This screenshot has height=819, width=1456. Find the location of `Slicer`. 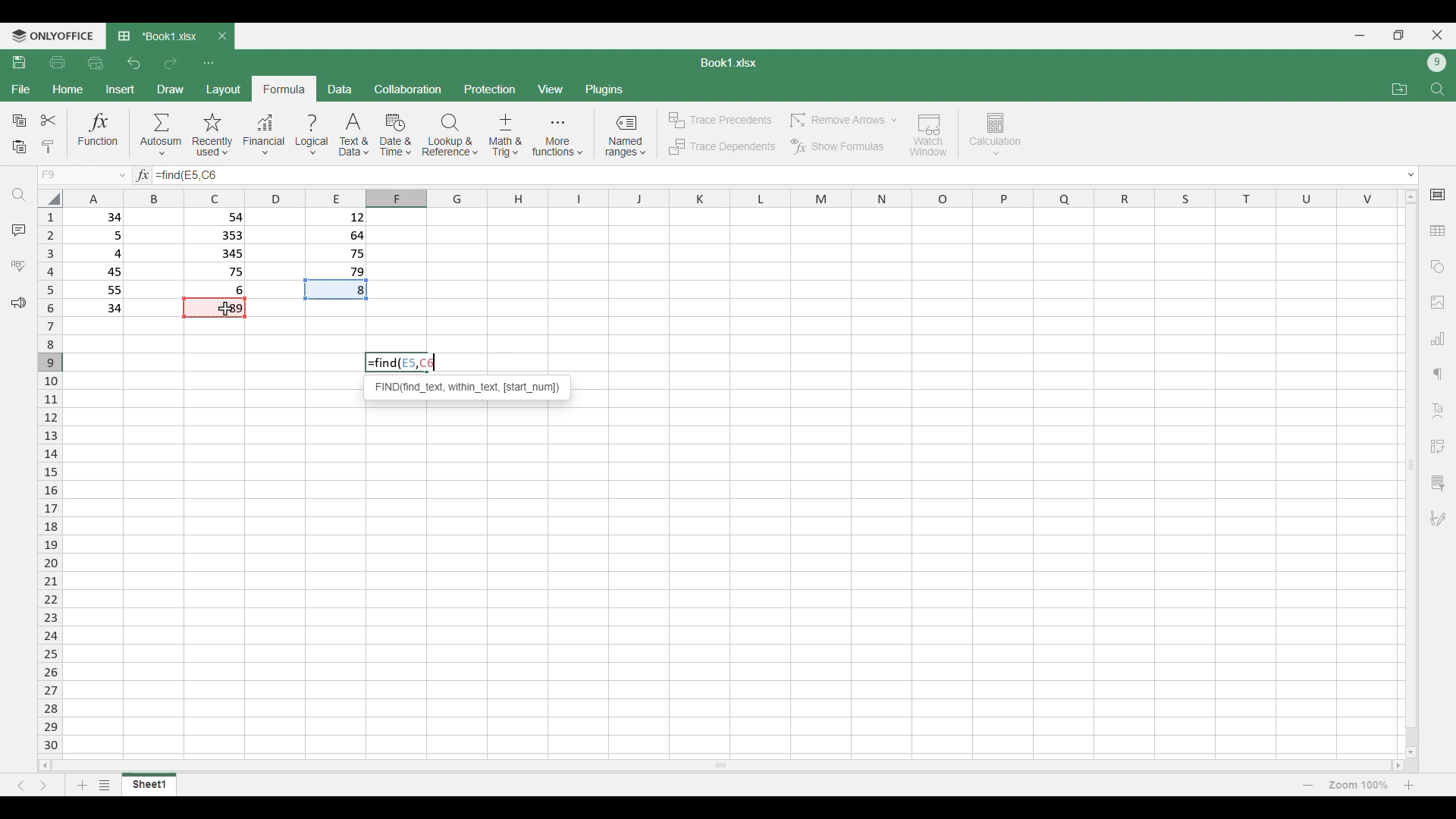

Slicer is located at coordinates (1437, 483).